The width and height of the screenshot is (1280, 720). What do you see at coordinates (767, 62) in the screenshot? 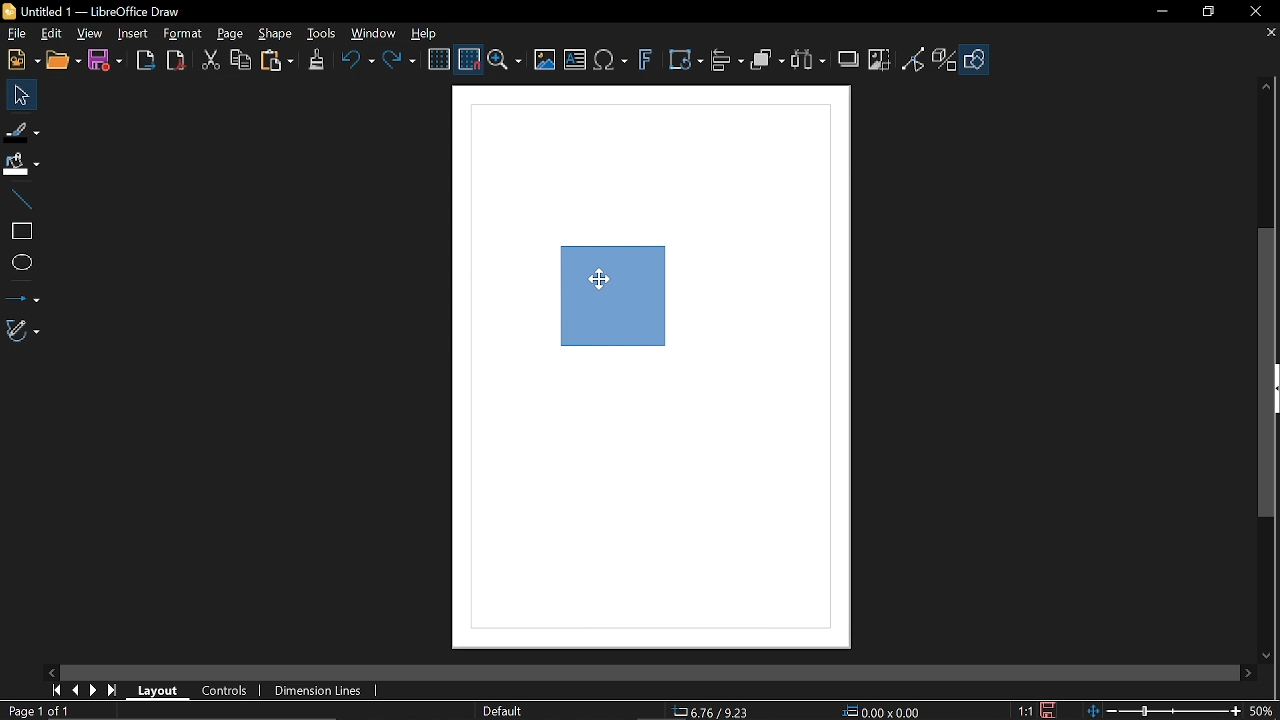
I see `Arrange` at bounding box center [767, 62].